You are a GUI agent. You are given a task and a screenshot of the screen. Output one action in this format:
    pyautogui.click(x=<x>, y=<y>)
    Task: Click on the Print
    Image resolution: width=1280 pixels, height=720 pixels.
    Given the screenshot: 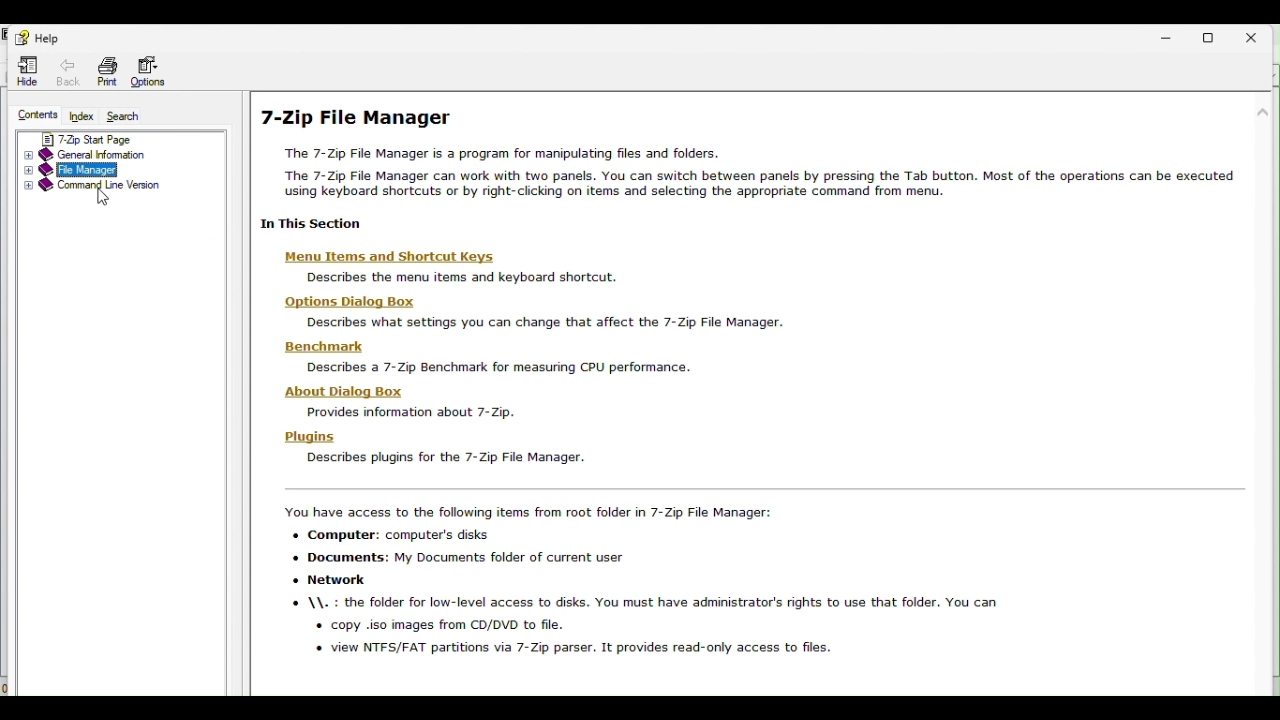 What is the action you would take?
    pyautogui.click(x=103, y=70)
    